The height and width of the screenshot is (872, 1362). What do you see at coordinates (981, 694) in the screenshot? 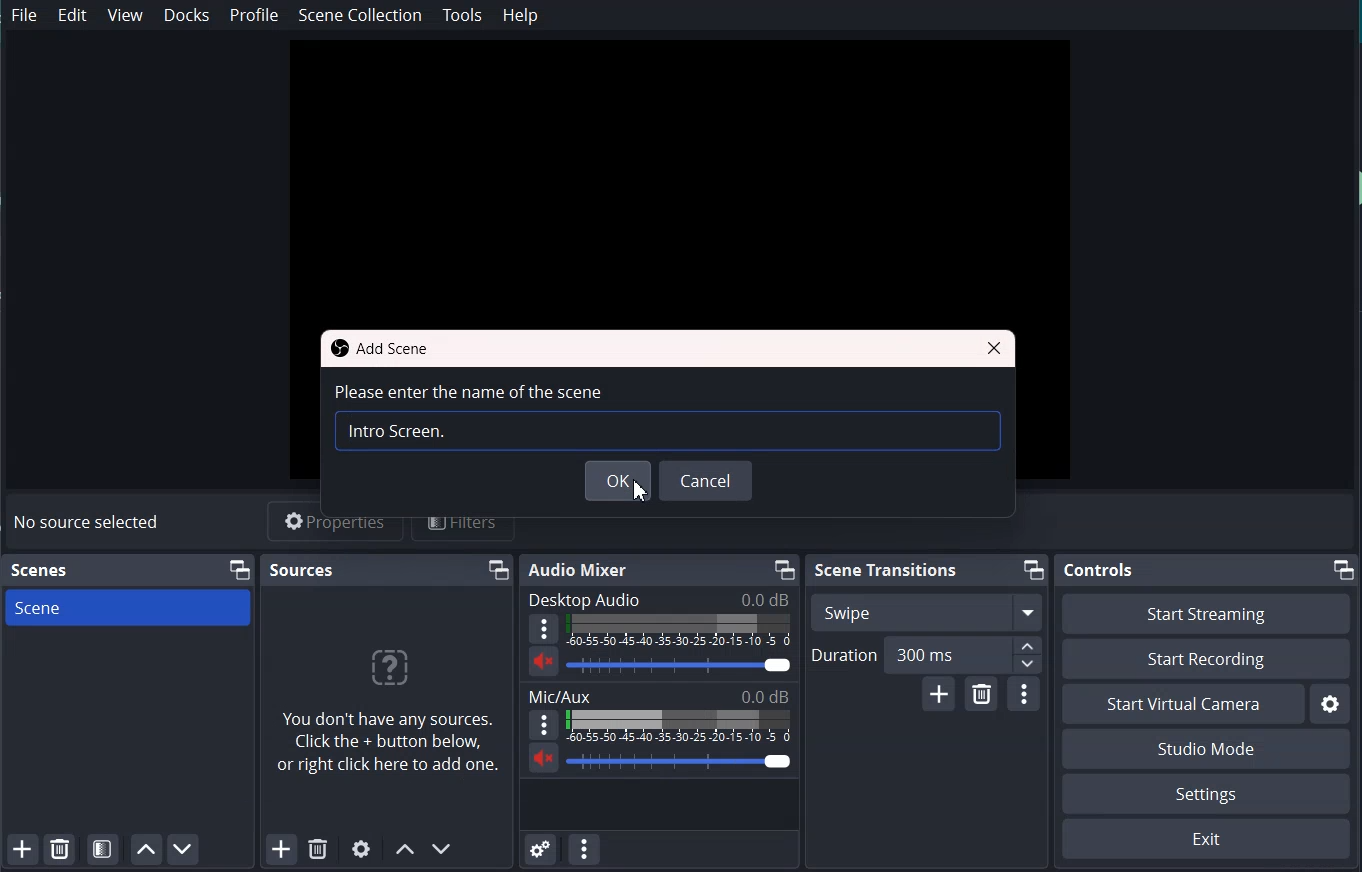
I see `Remove configurable Transition` at bounding box center [981, 694].